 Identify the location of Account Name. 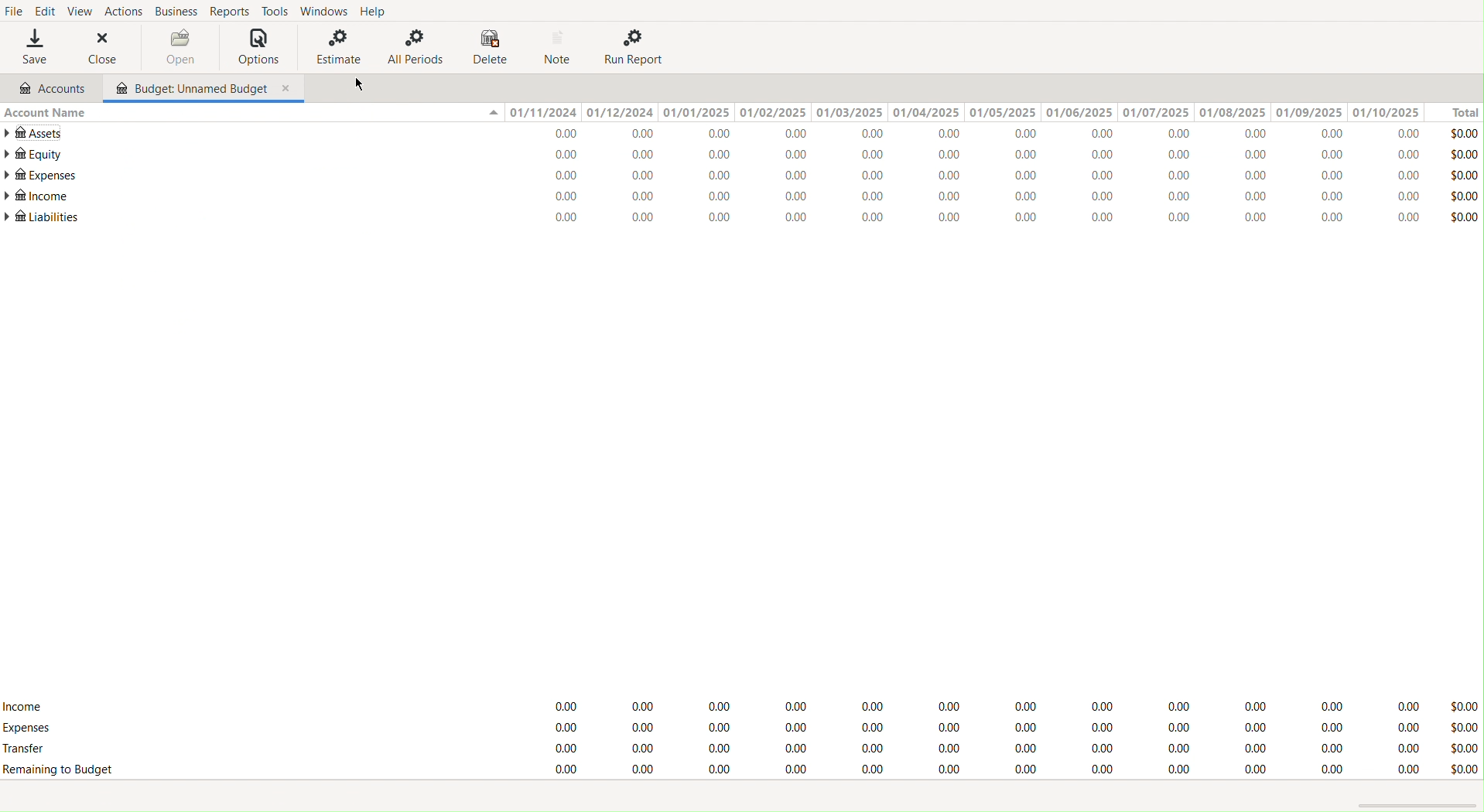
(51, 114).